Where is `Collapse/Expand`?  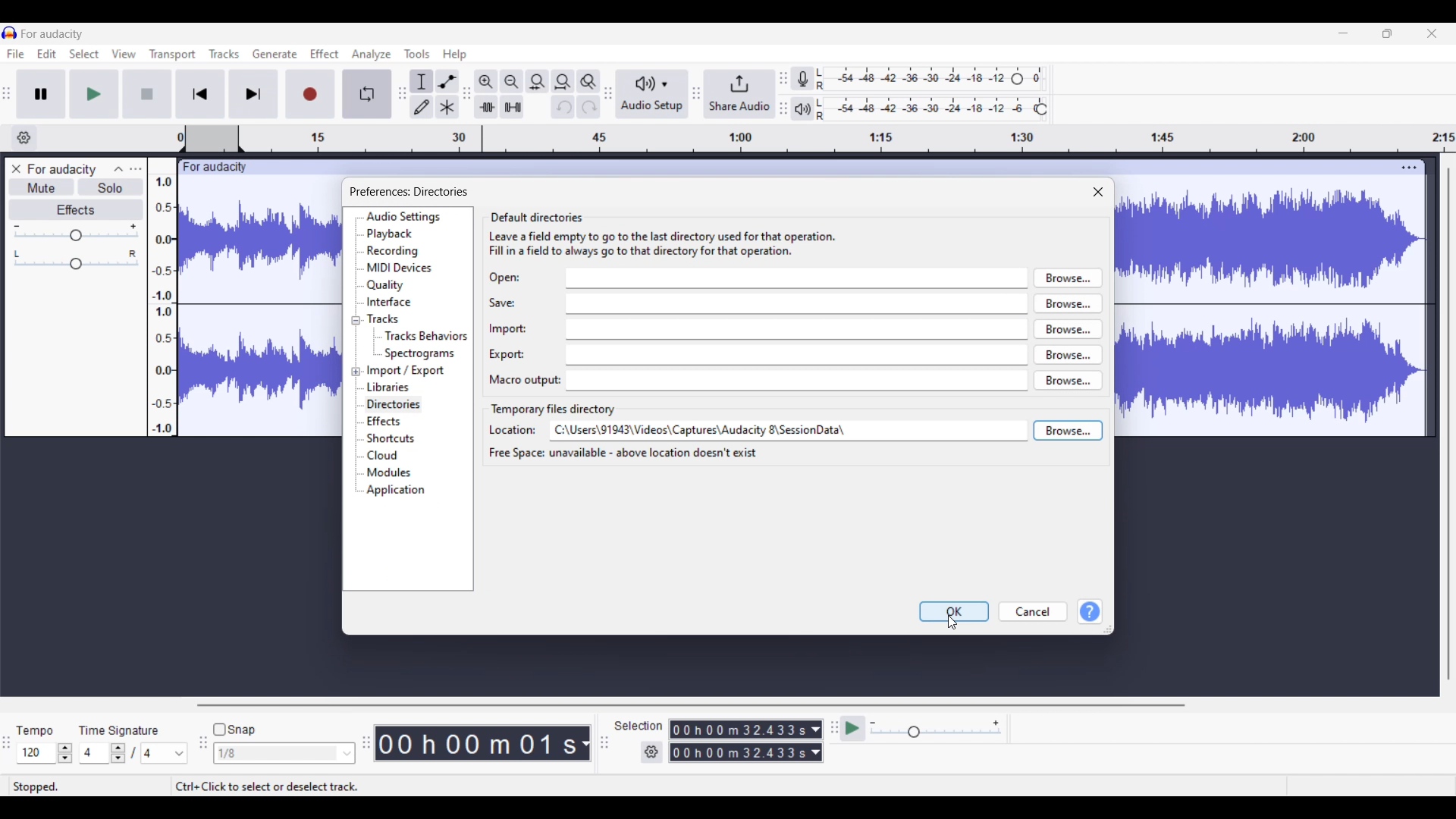
Collapse/Expand is located at coordinates (358, 346).